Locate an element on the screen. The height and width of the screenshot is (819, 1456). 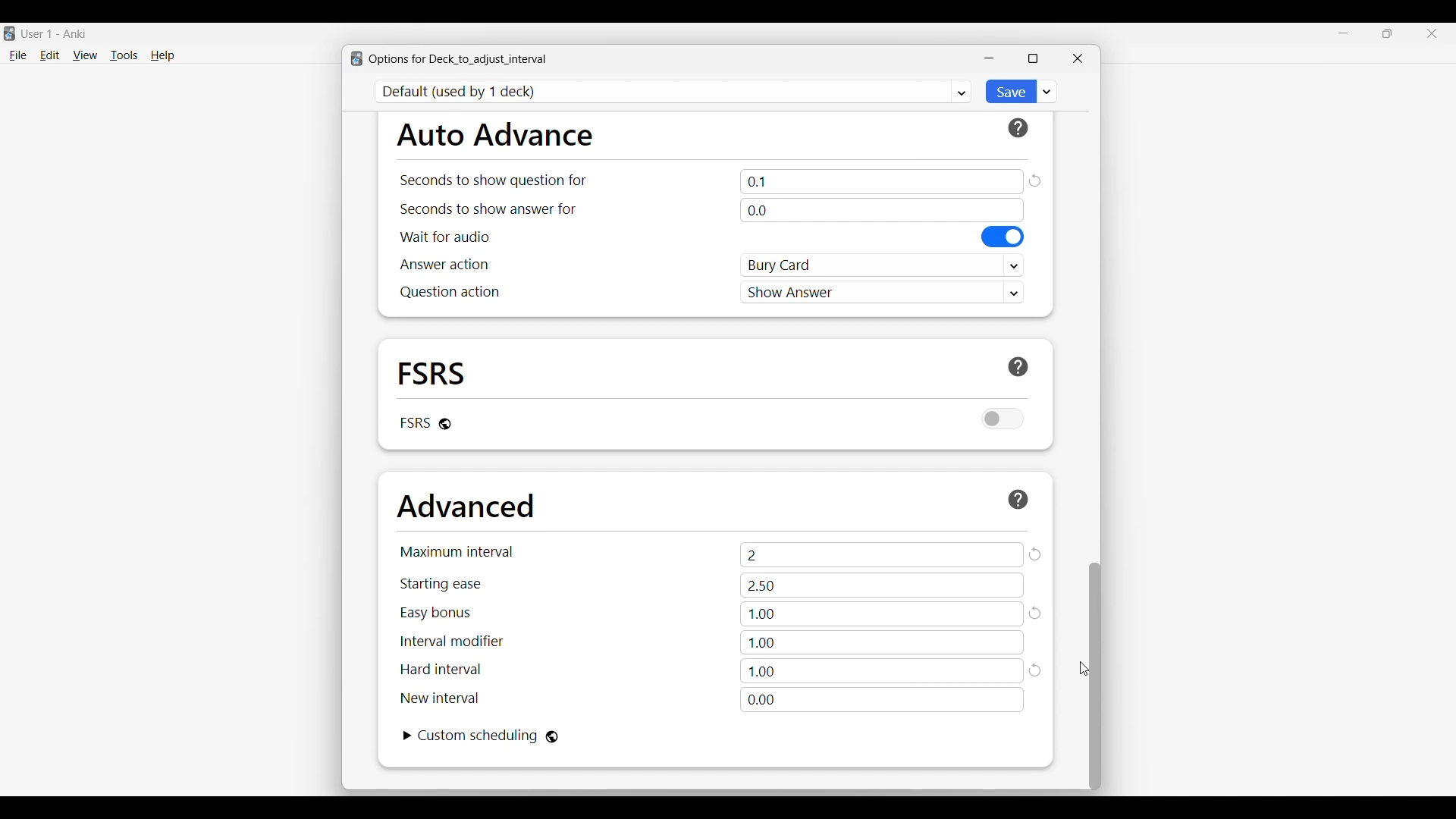
2.50 is located at coordinates (882, 585).